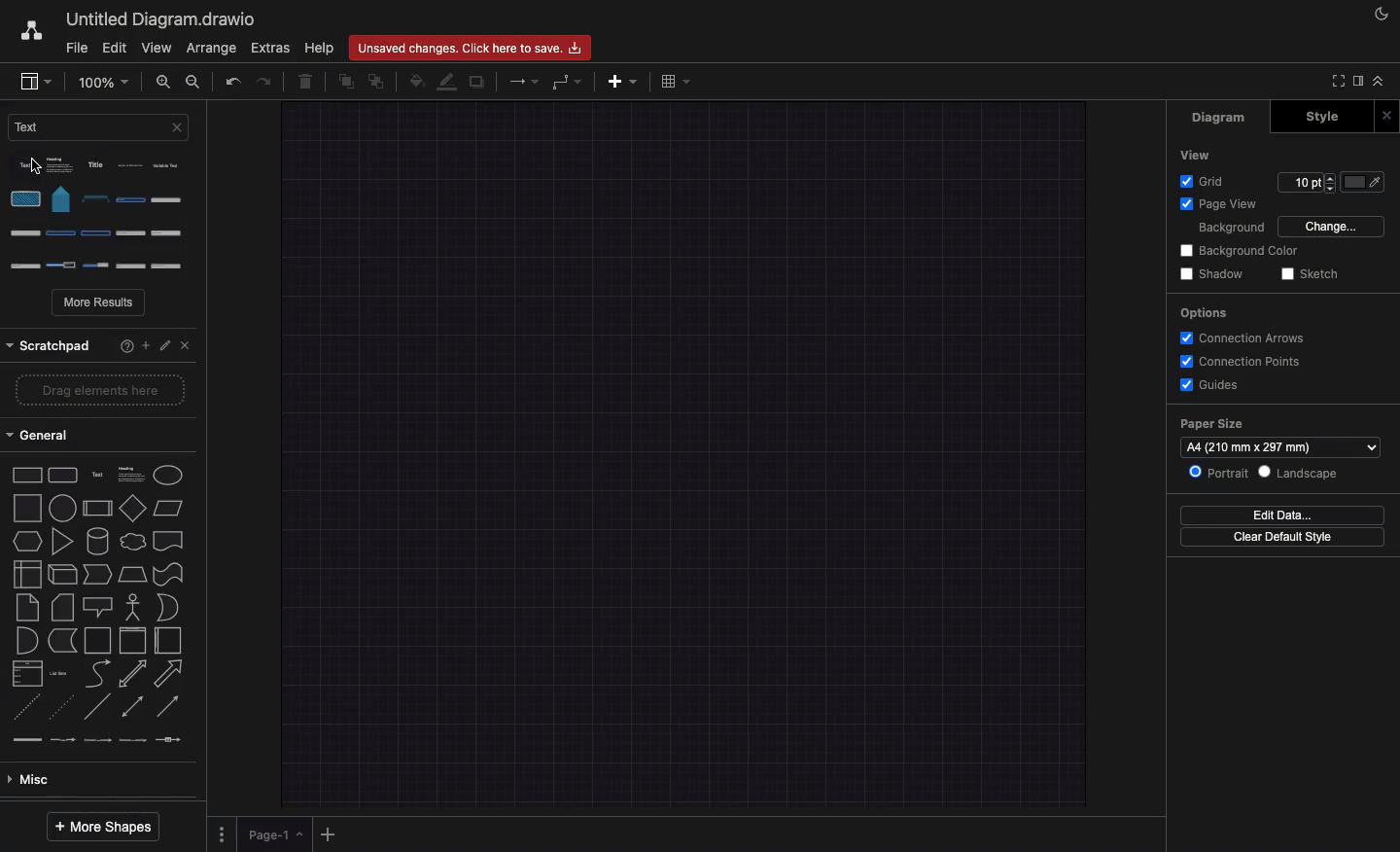 This screenshot has height=852, width=1400. Describe the element at coordinates (1313, 272) in the screenshot. I see `Sketch` at that location.